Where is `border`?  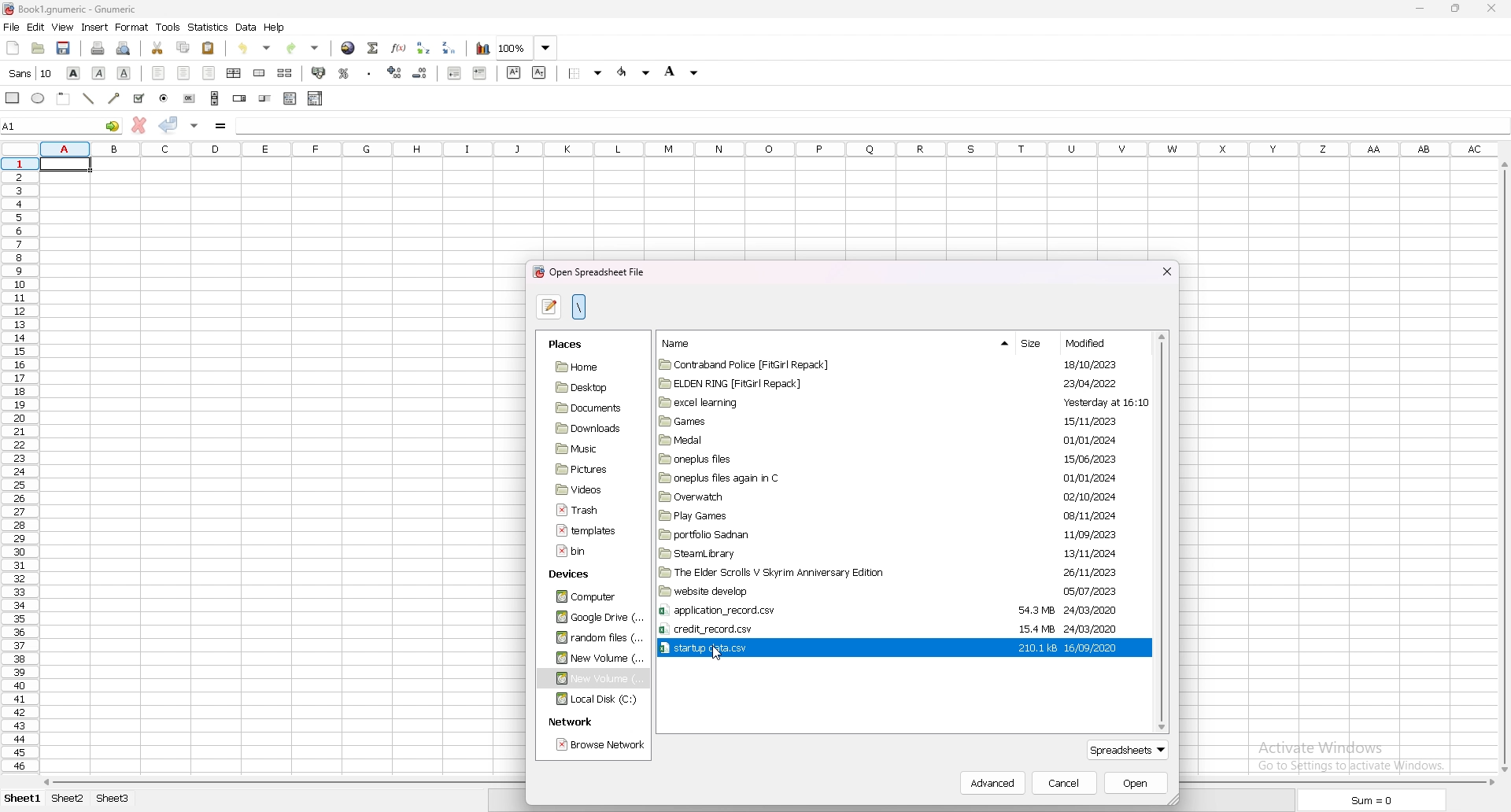 border is located at coordinates (586, 72).